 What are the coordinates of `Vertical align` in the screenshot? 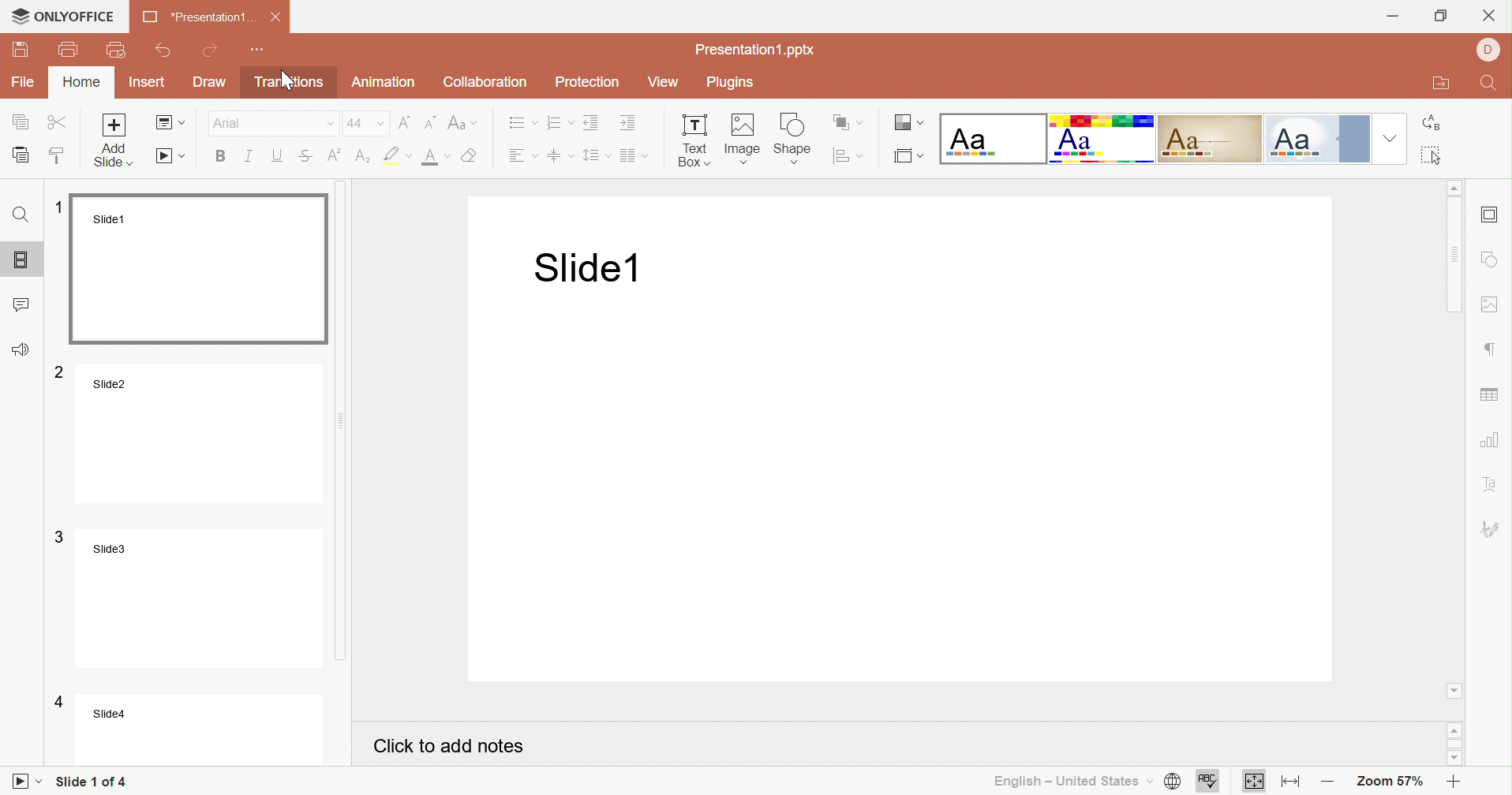 It's located at (563, 155).